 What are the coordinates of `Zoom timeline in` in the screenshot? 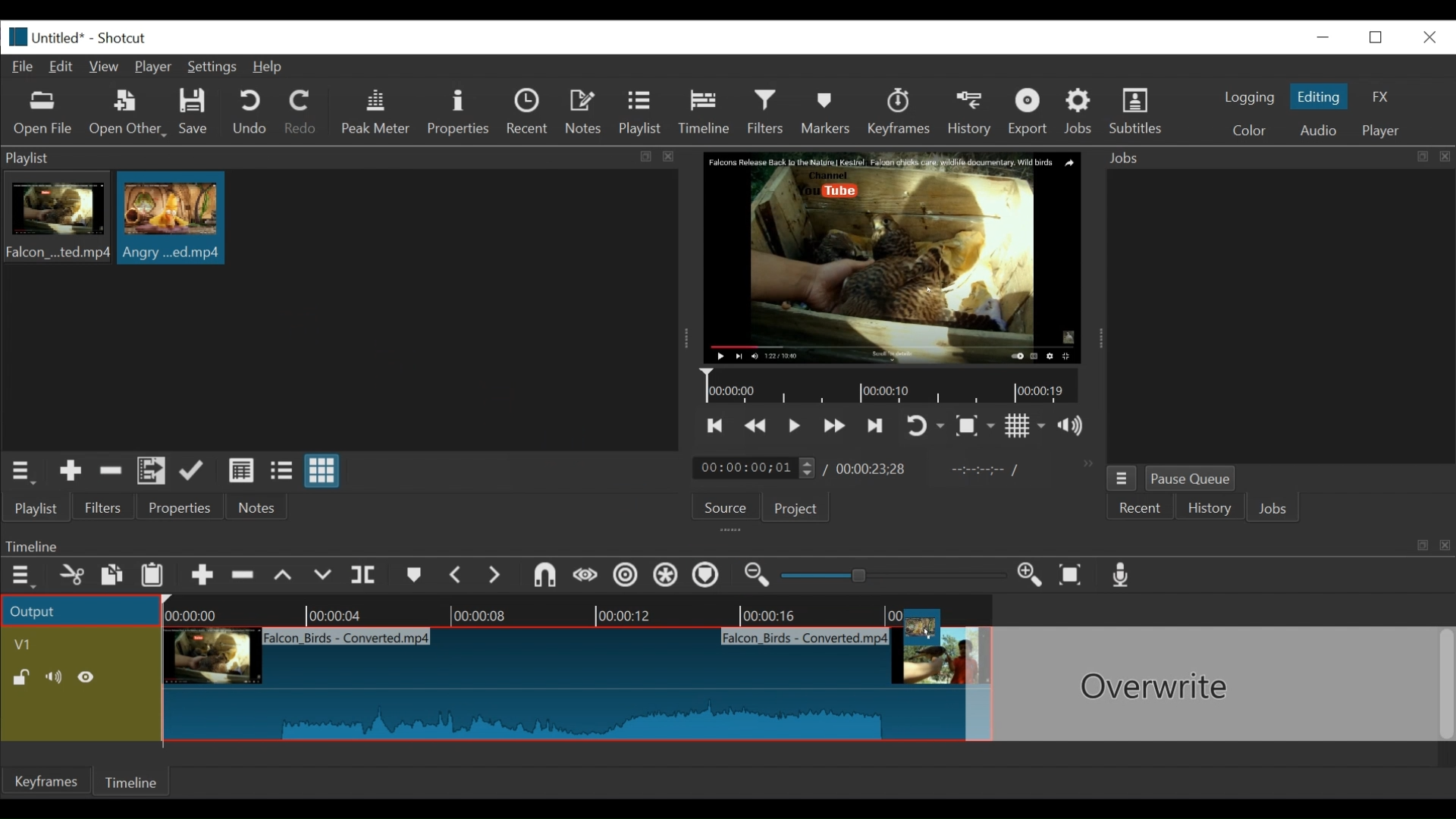 It's located at (755, 577).